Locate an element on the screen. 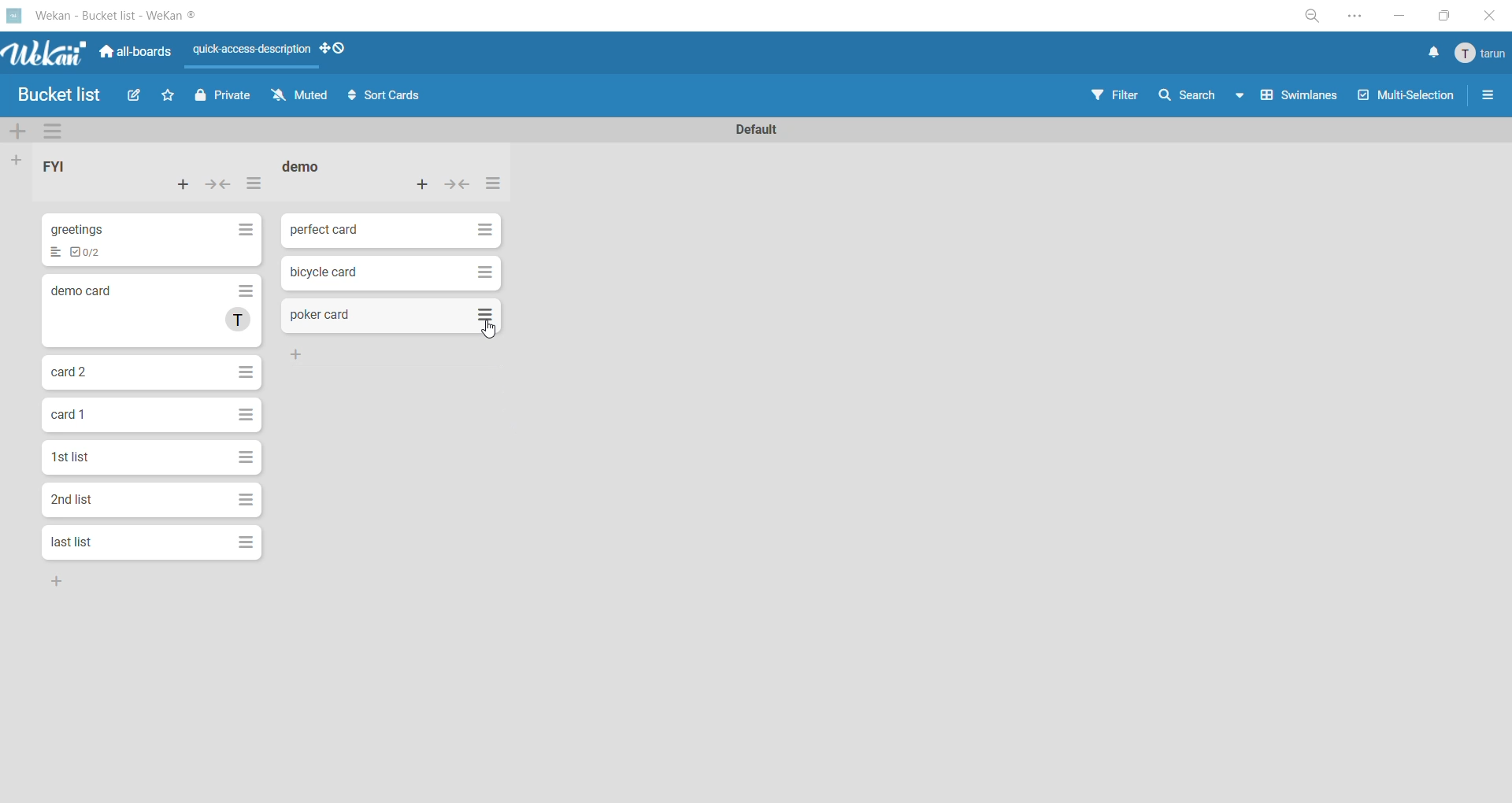 Image resolution: width=1512 pixels, height=803 pixels. collapse is located at coordinates (458, 187).